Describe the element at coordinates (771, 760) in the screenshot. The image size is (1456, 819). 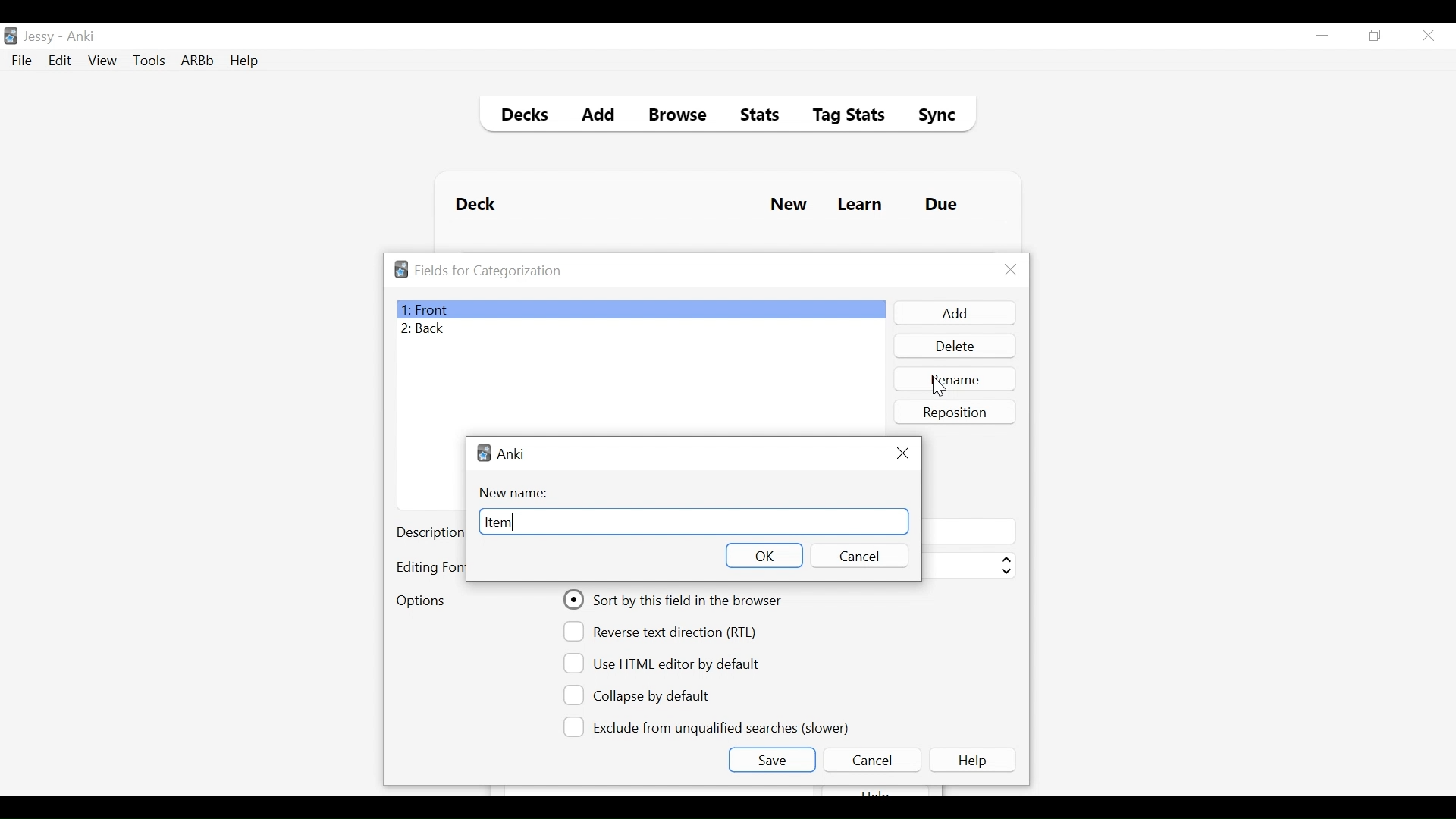
I see `Save` at that location.